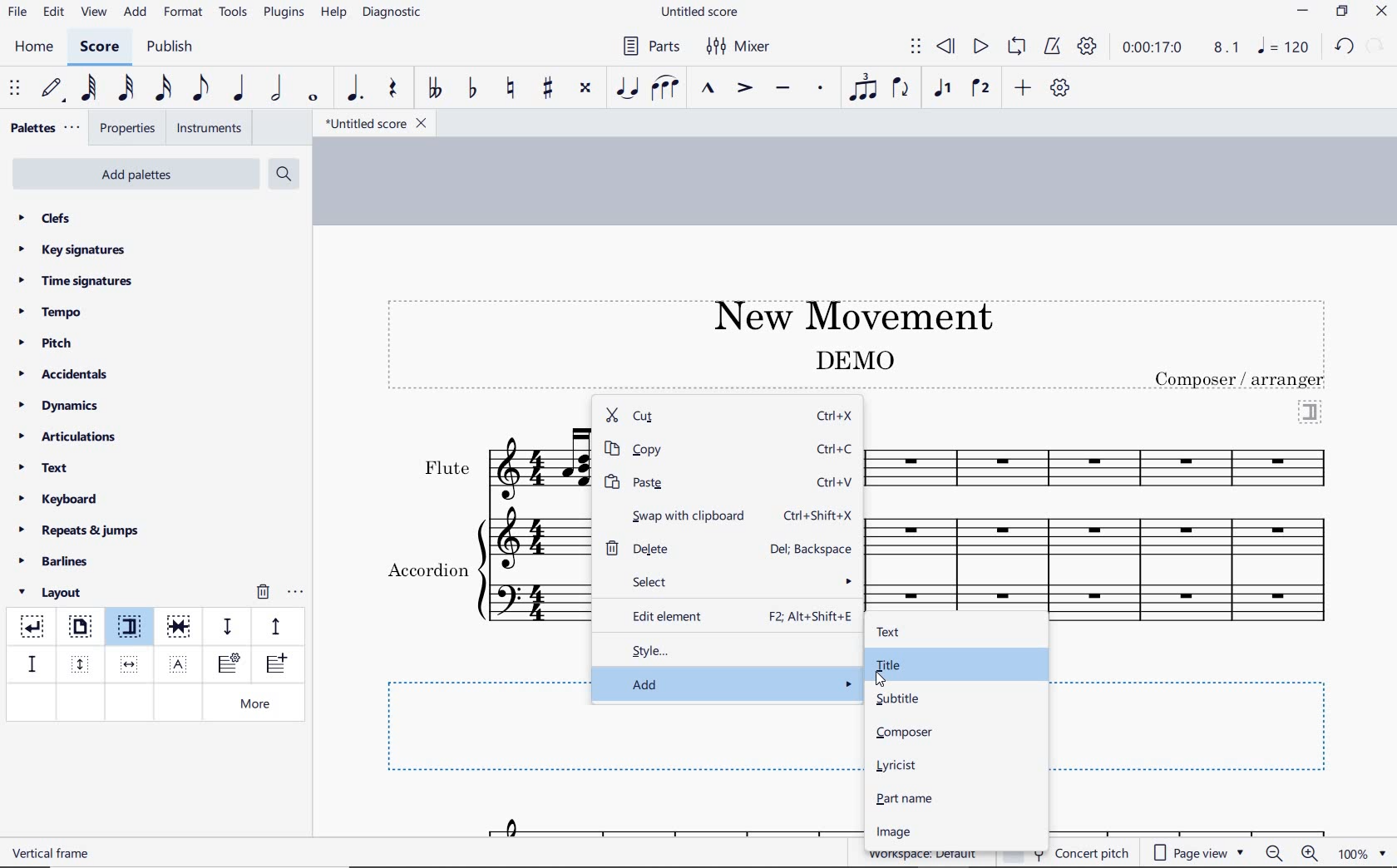  What do you see at coordinates (691, 482) in the screenshot?
I see `paste` at bounding box center [691, 482].